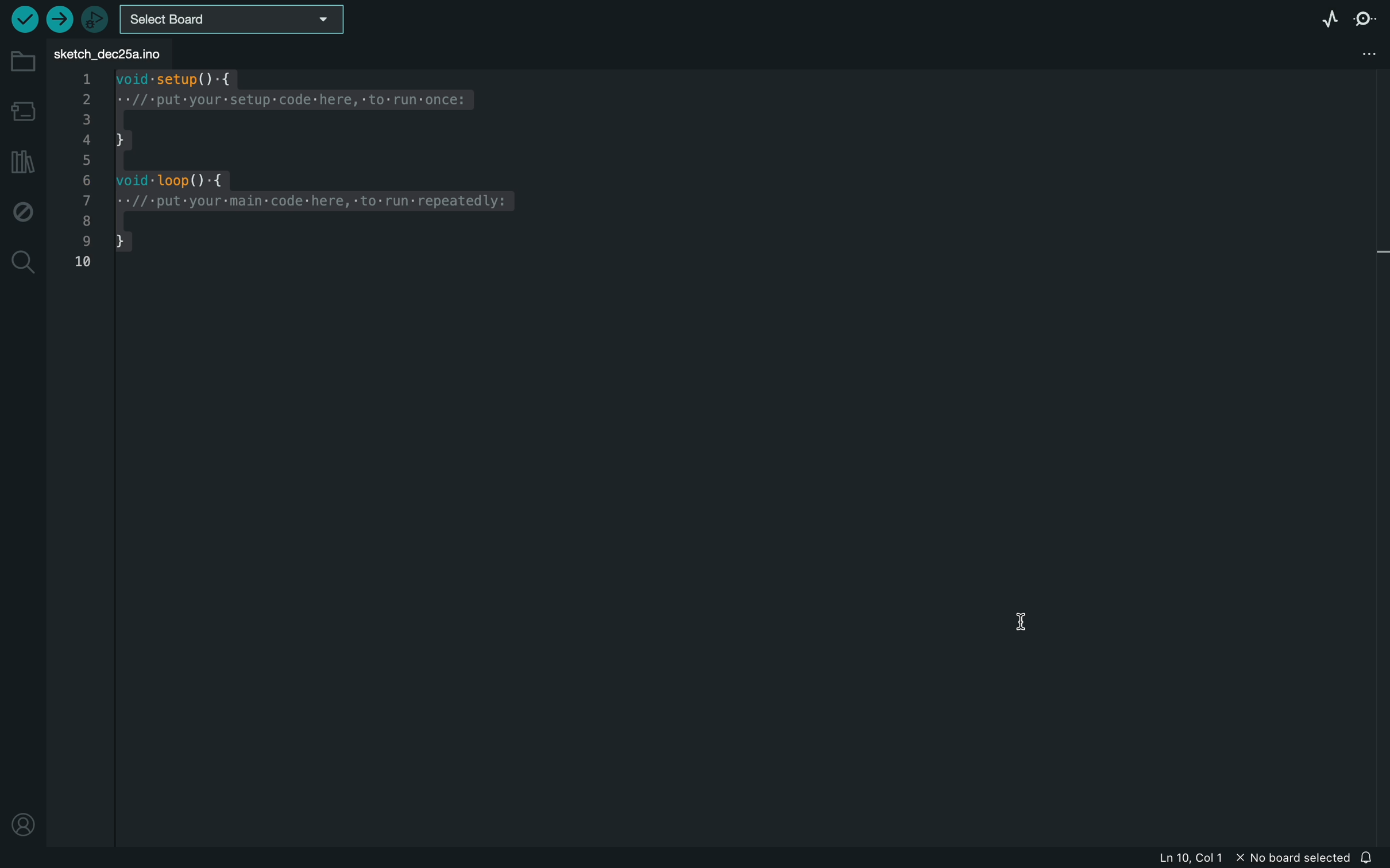 This screenshot has height=868, width=1390. Describe the element at coordinates (94, 19) in the screenshot. I see `debugger` at that location.